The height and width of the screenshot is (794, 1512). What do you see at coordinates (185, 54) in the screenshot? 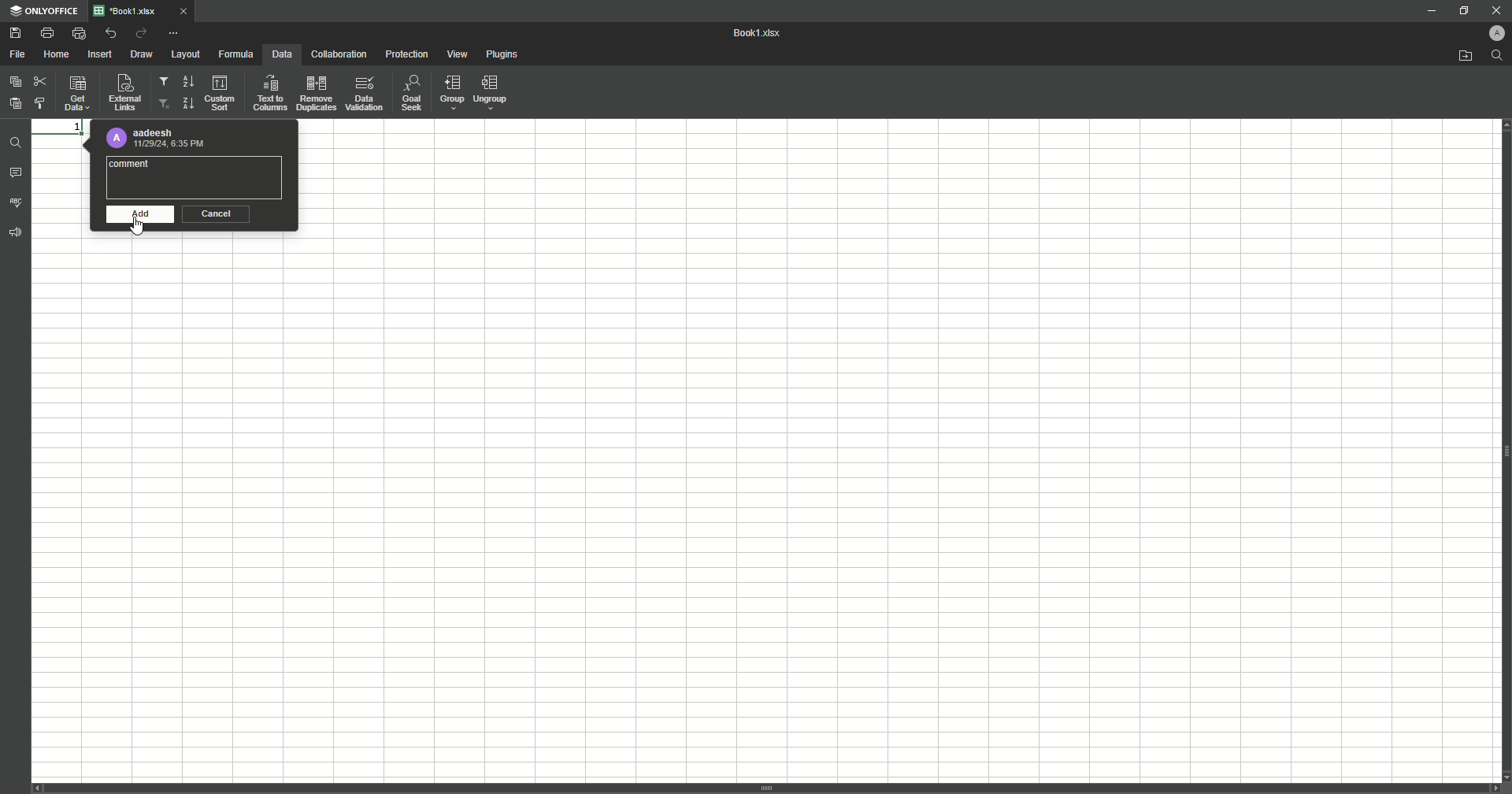
I see `Layout` at bounding box center [185, 54].